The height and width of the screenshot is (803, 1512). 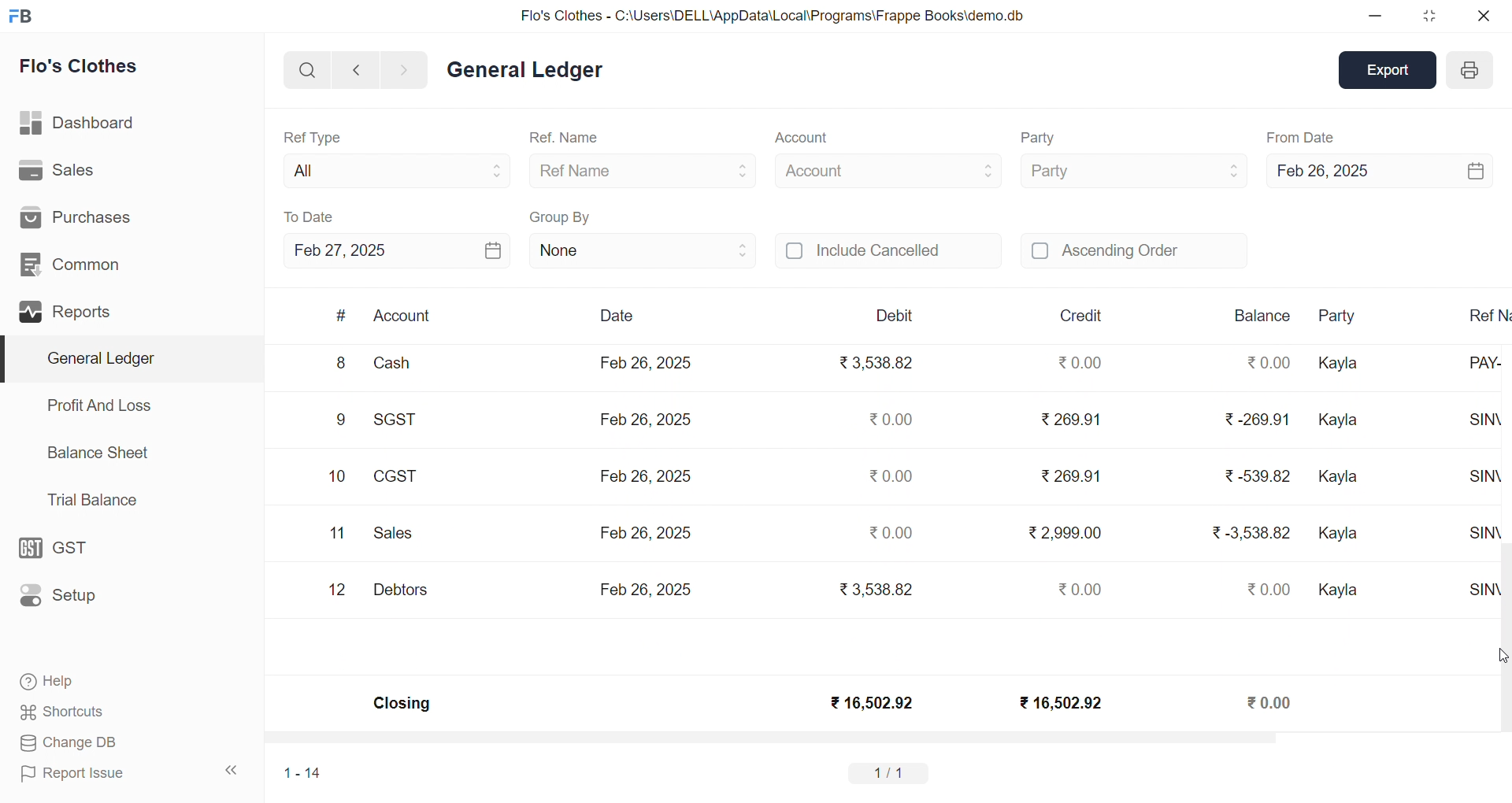 I want to click on Common, so click(x=71, y=262).